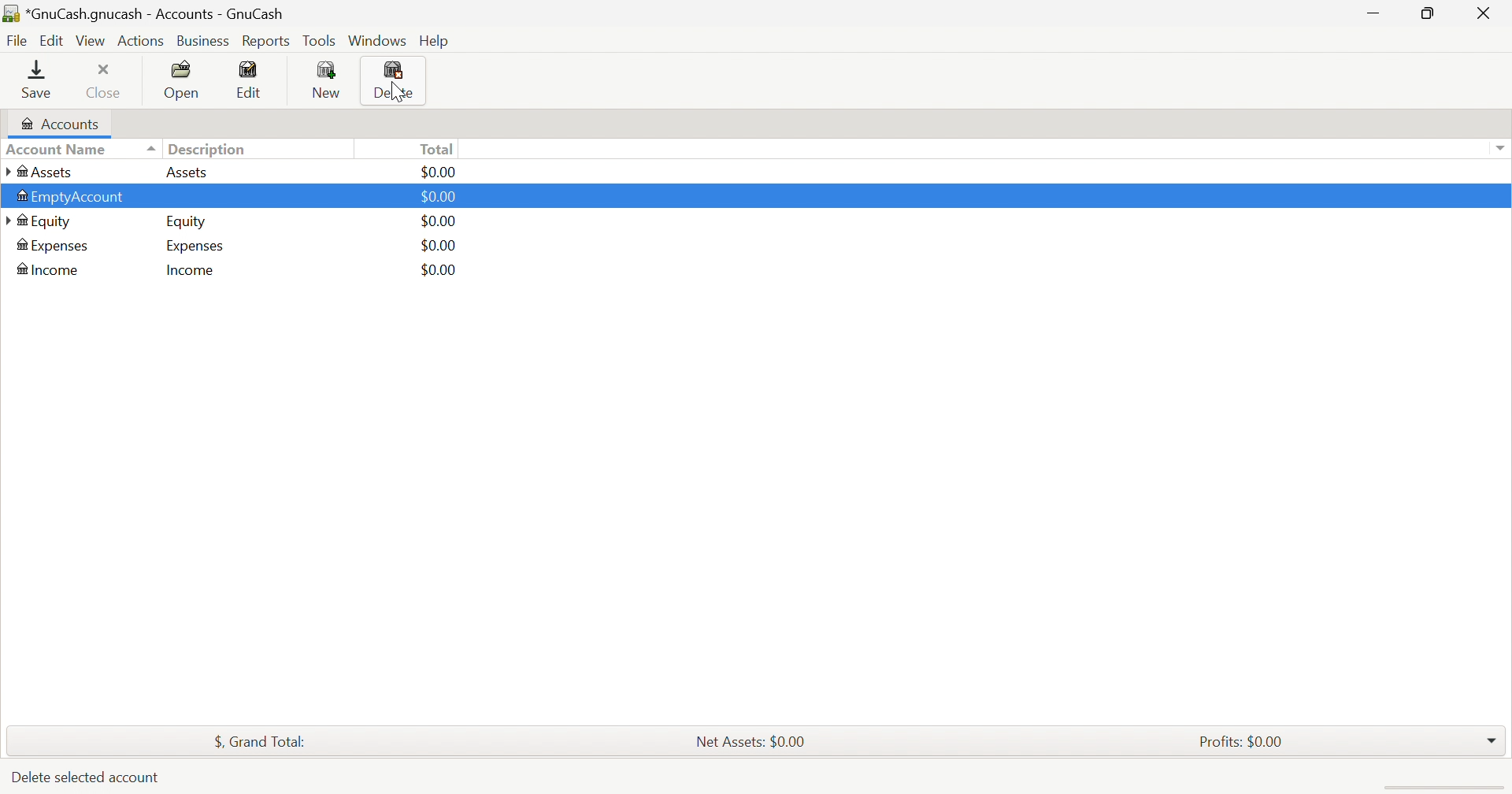 The width and height of the screenshot is (1512, 794). I want to click on Open, so click(183, 80).